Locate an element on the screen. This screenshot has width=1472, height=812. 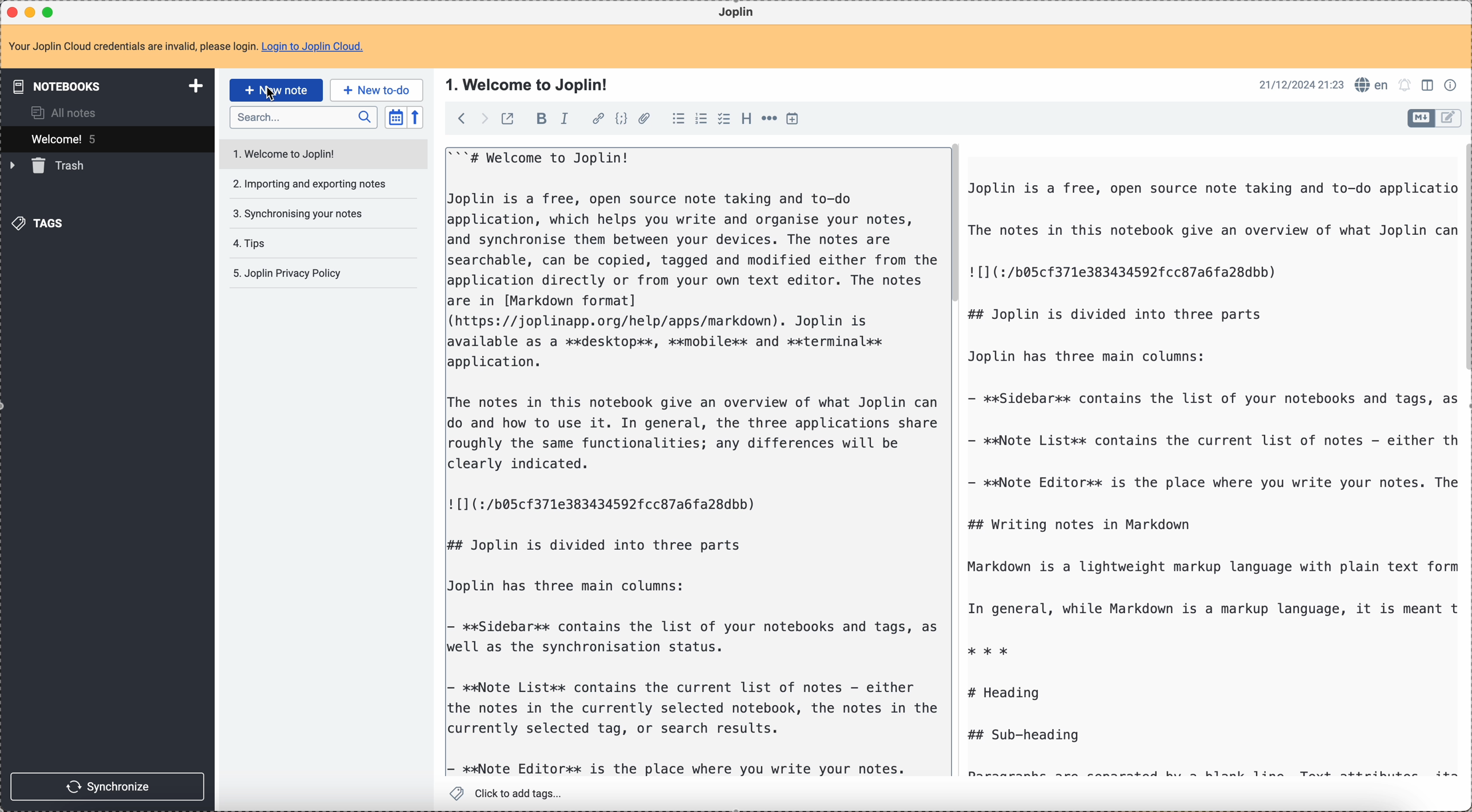
attach file is located at coordinates (644, 119).